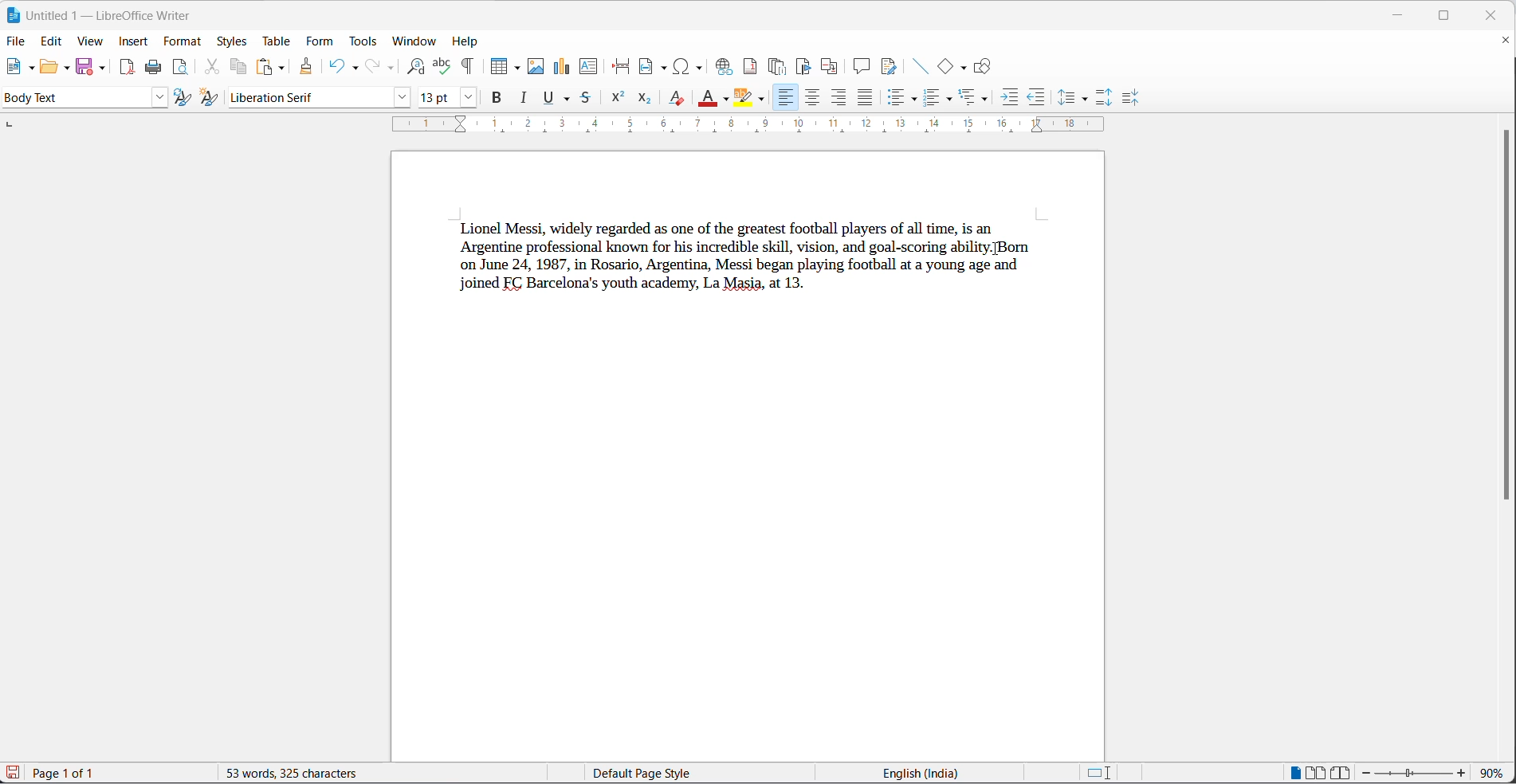 This screenshot has height=784, width=1516. Describe the element at coordinates (470, 99) in the screenshot. I see `font size options` at that location.